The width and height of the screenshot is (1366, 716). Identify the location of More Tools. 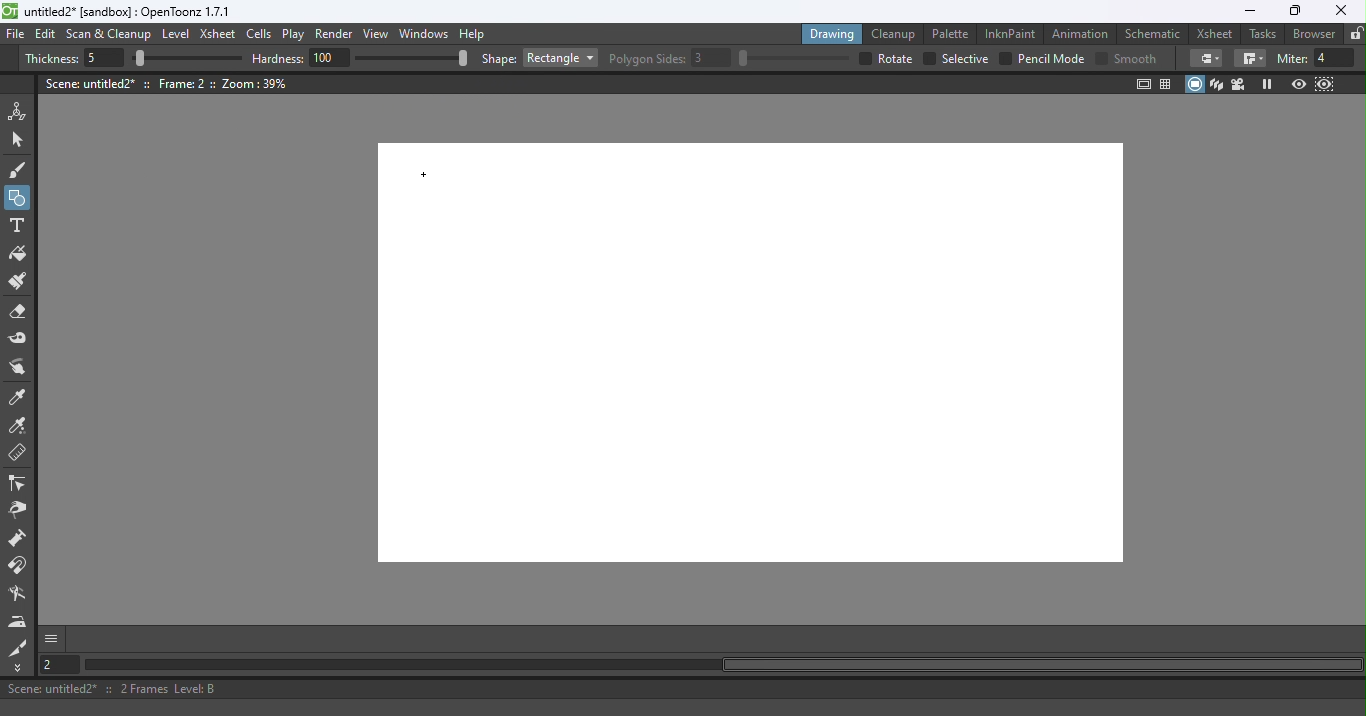
(19, 668).